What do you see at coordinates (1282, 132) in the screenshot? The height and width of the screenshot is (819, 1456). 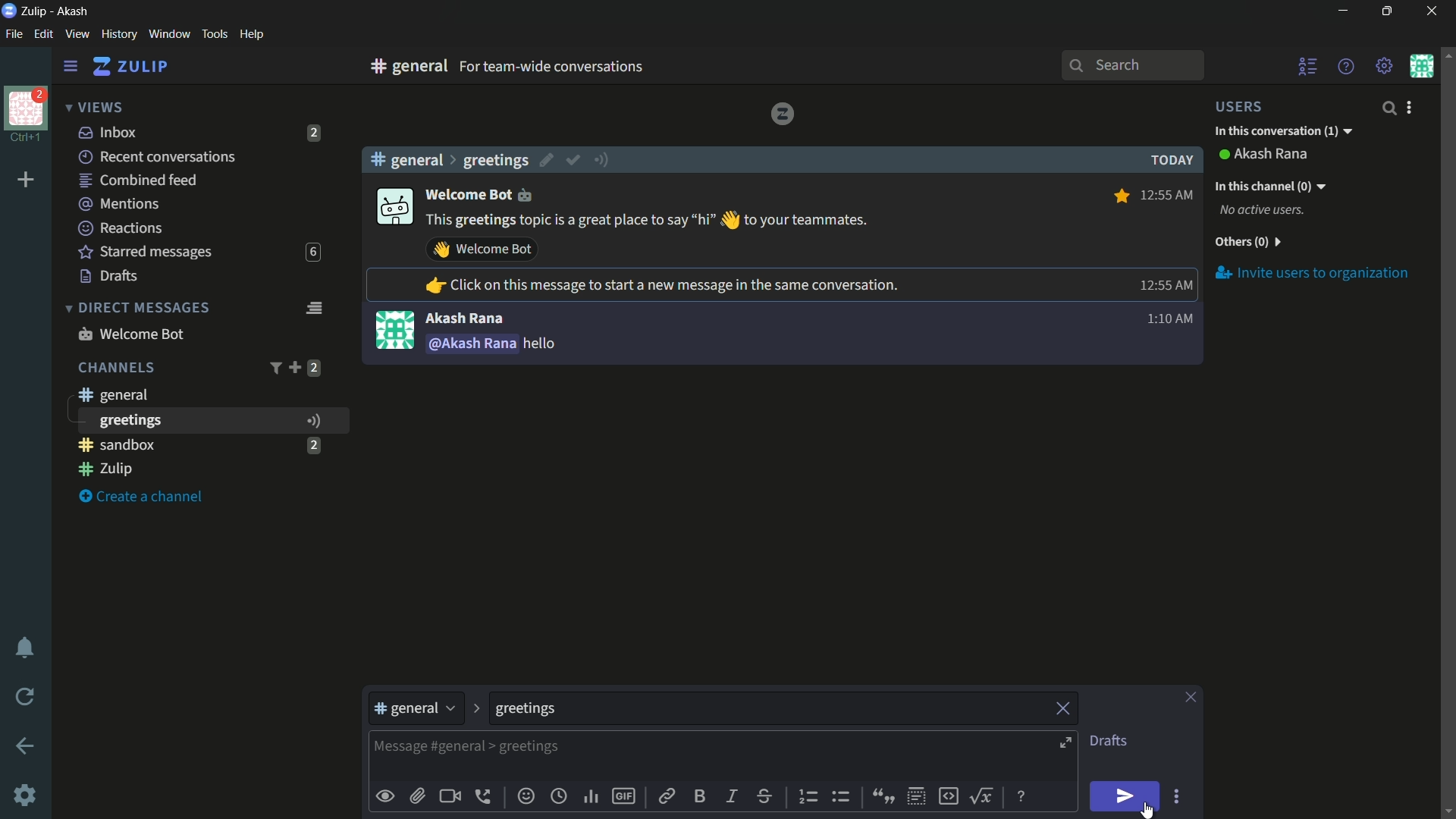 I see `in this conversation` at bounding box center [1282, 132].